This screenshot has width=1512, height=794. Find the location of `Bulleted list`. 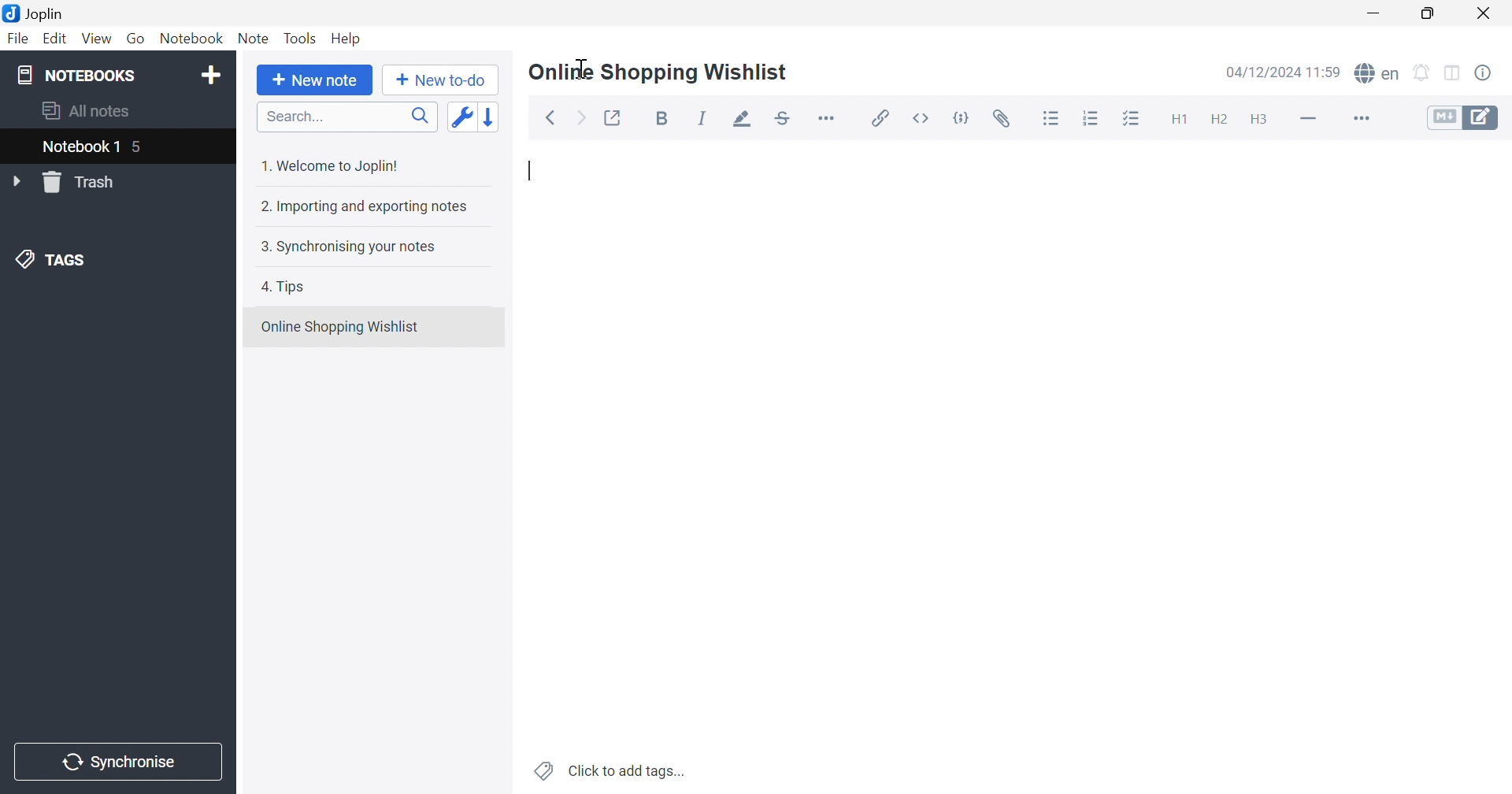

Bulleted list is located at coordinates (1052, 121).